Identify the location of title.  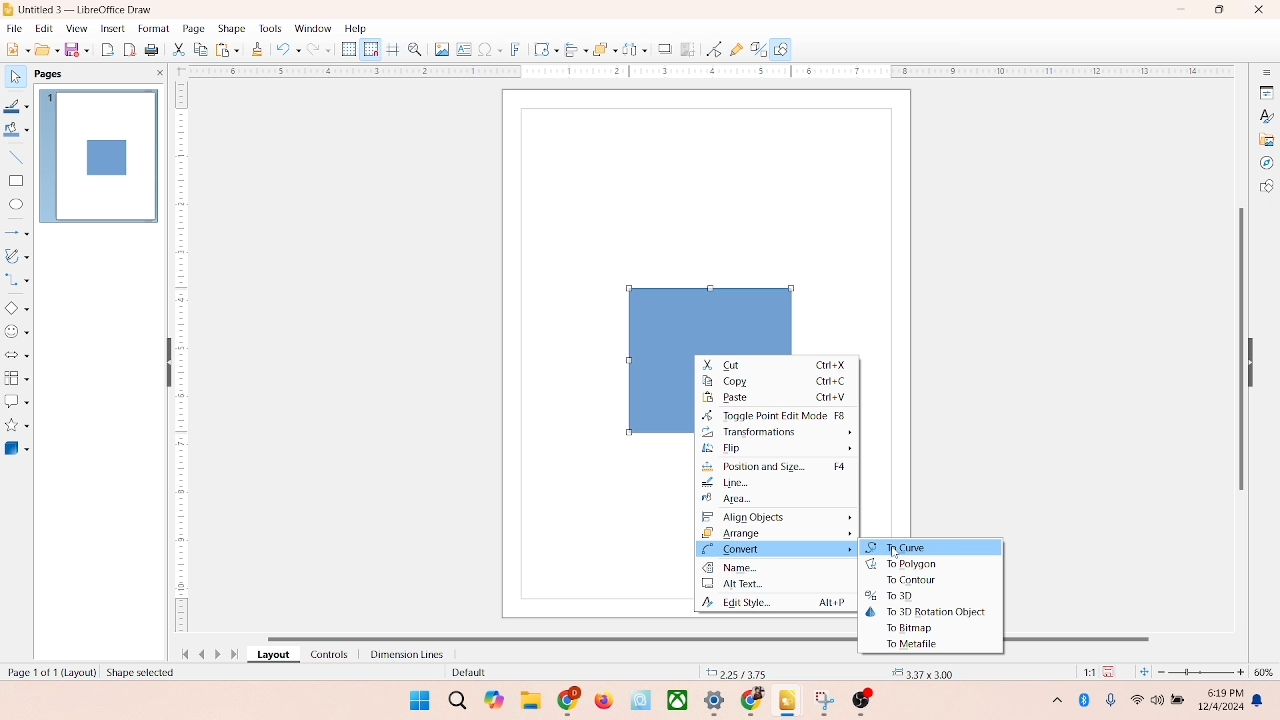
(87, 8).